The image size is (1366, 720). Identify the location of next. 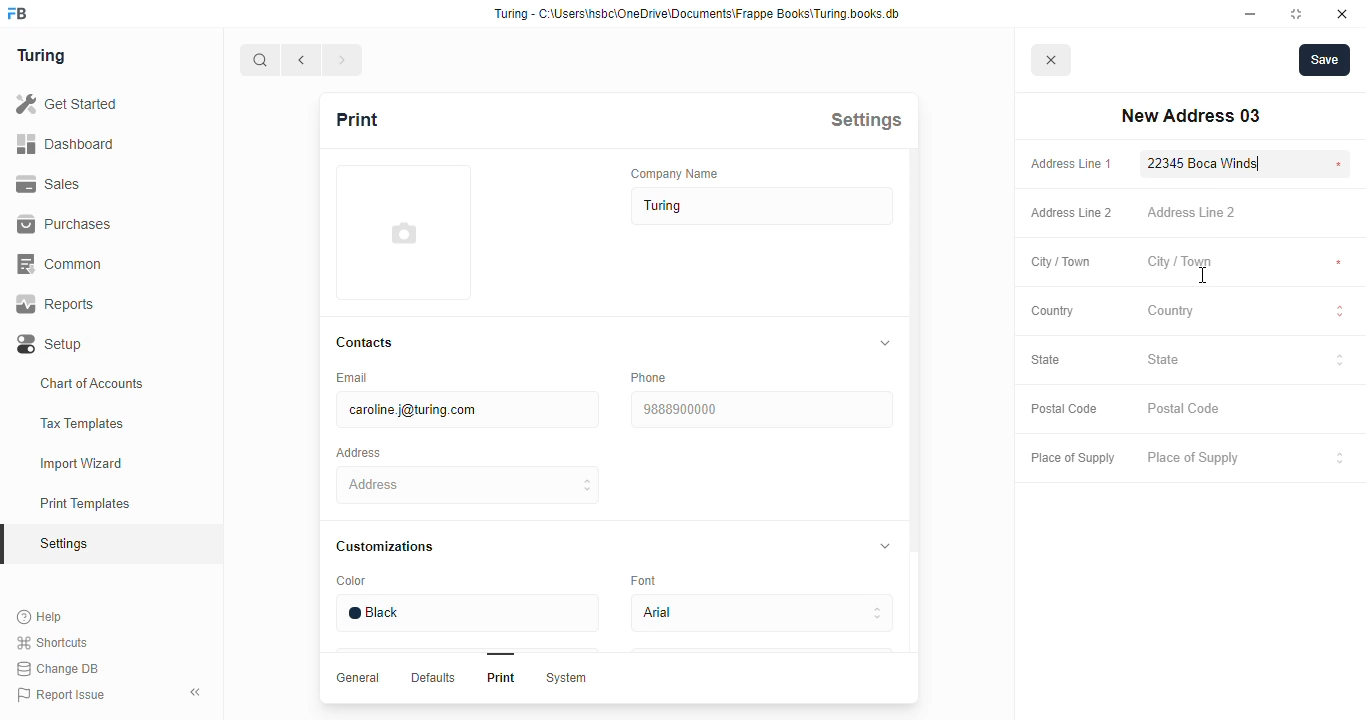
(344, 60).